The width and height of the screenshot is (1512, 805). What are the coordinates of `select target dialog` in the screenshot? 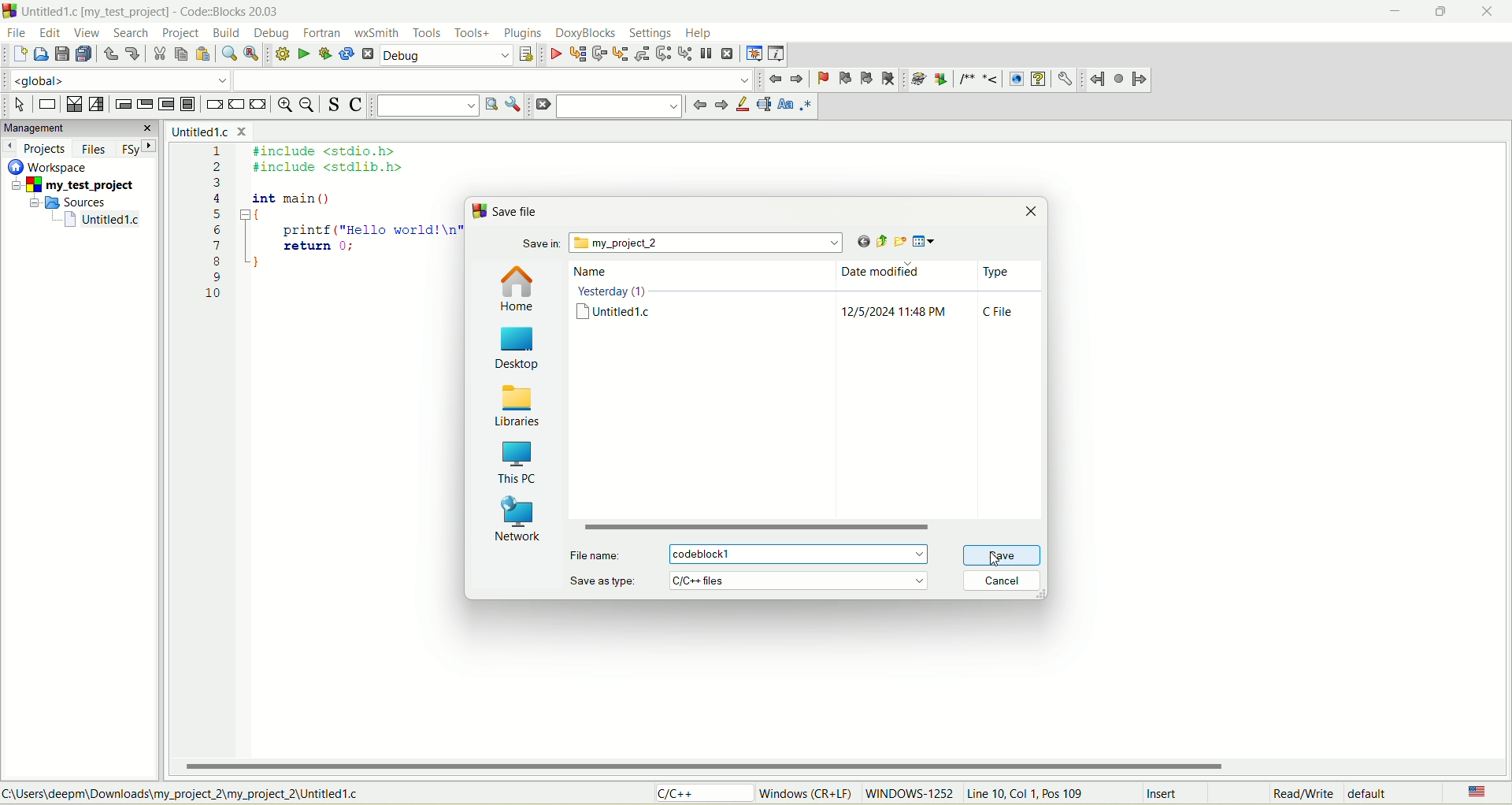 It's located at (525, 56).